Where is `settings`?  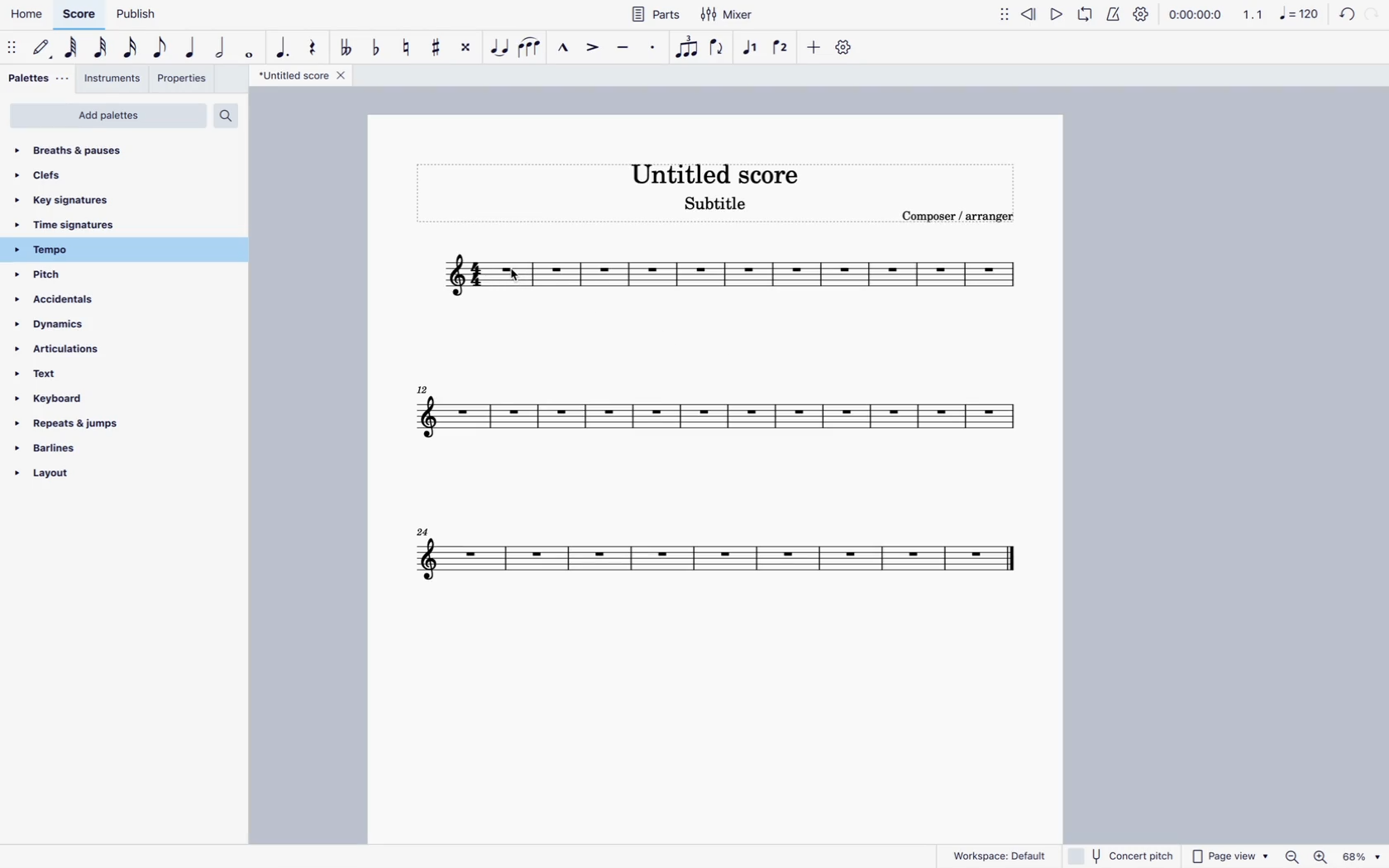 settings is located at coordinates (1144, 13).